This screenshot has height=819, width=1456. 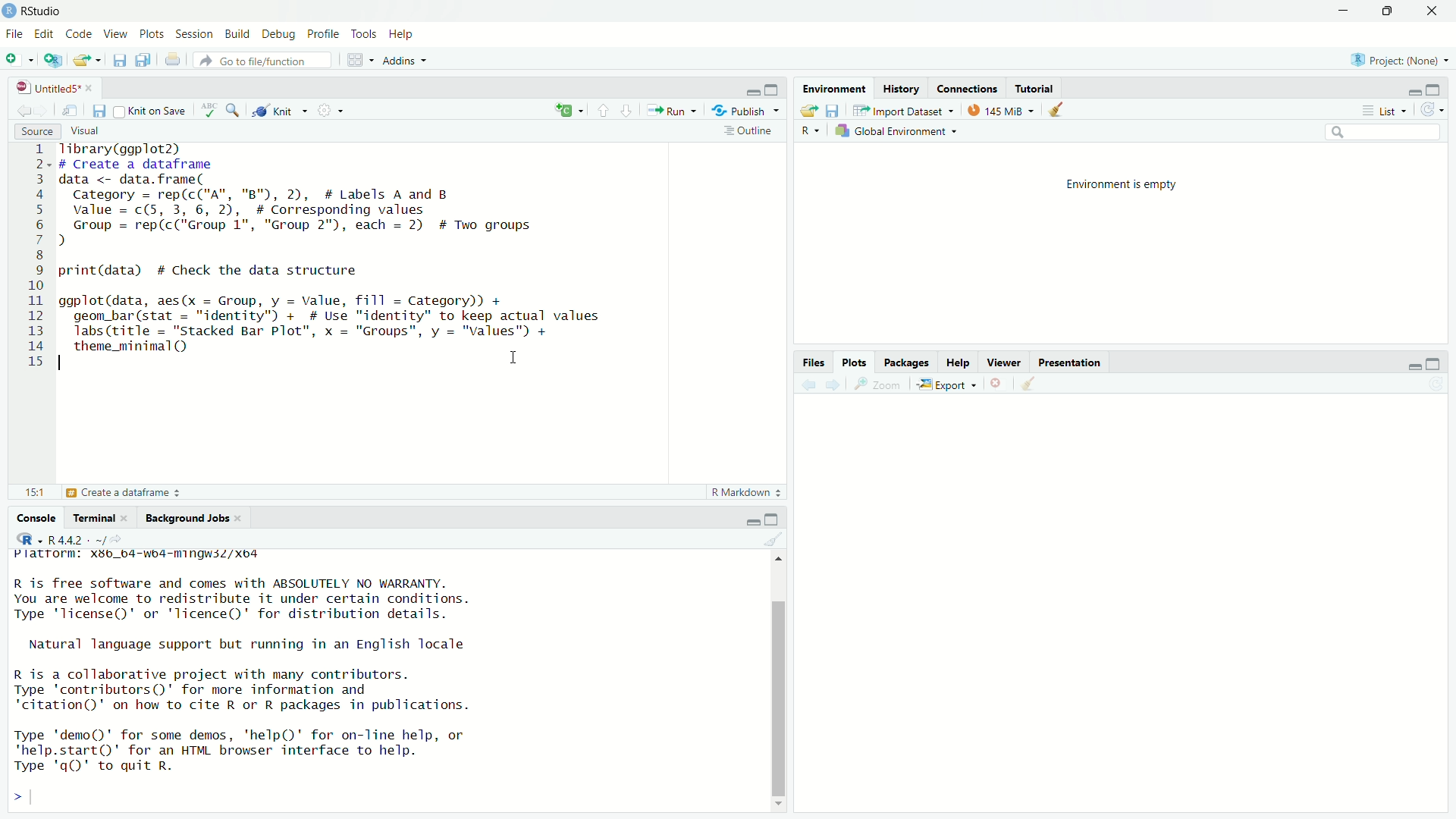 What do you see at coordinates (513, 360) in the screenshot?
I see `Text cursor` at bounding box center [513, 360].